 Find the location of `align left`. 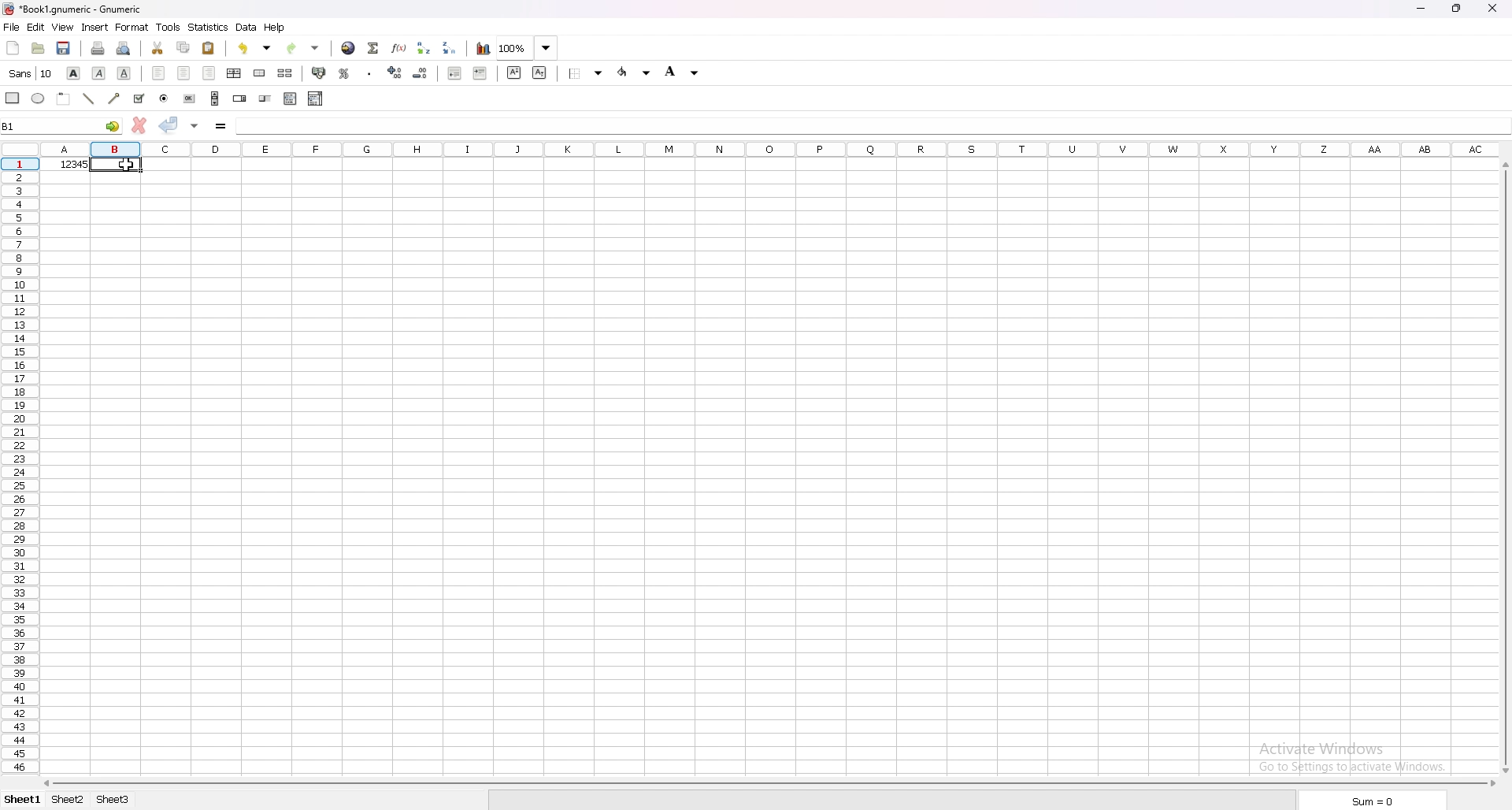

align left is located at coordinates (161, 72).